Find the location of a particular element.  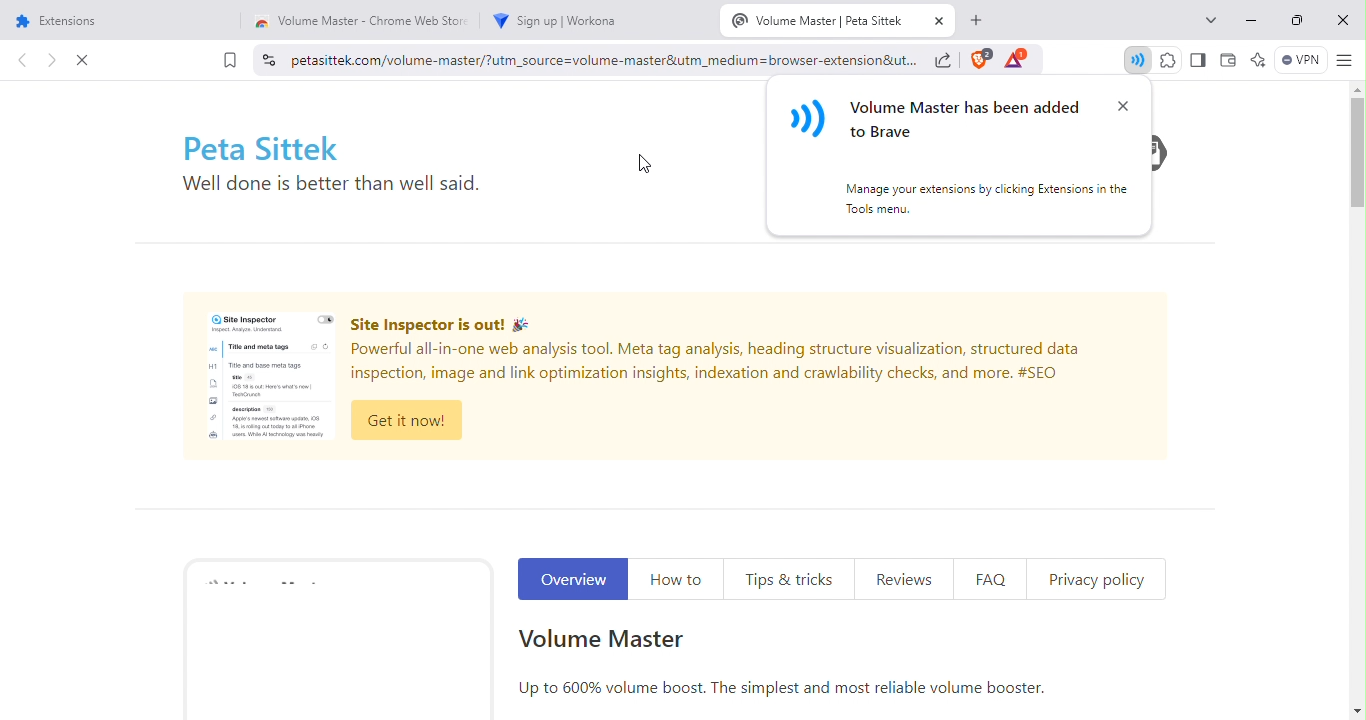

bookmarks  is located at coordinates (231, 60).